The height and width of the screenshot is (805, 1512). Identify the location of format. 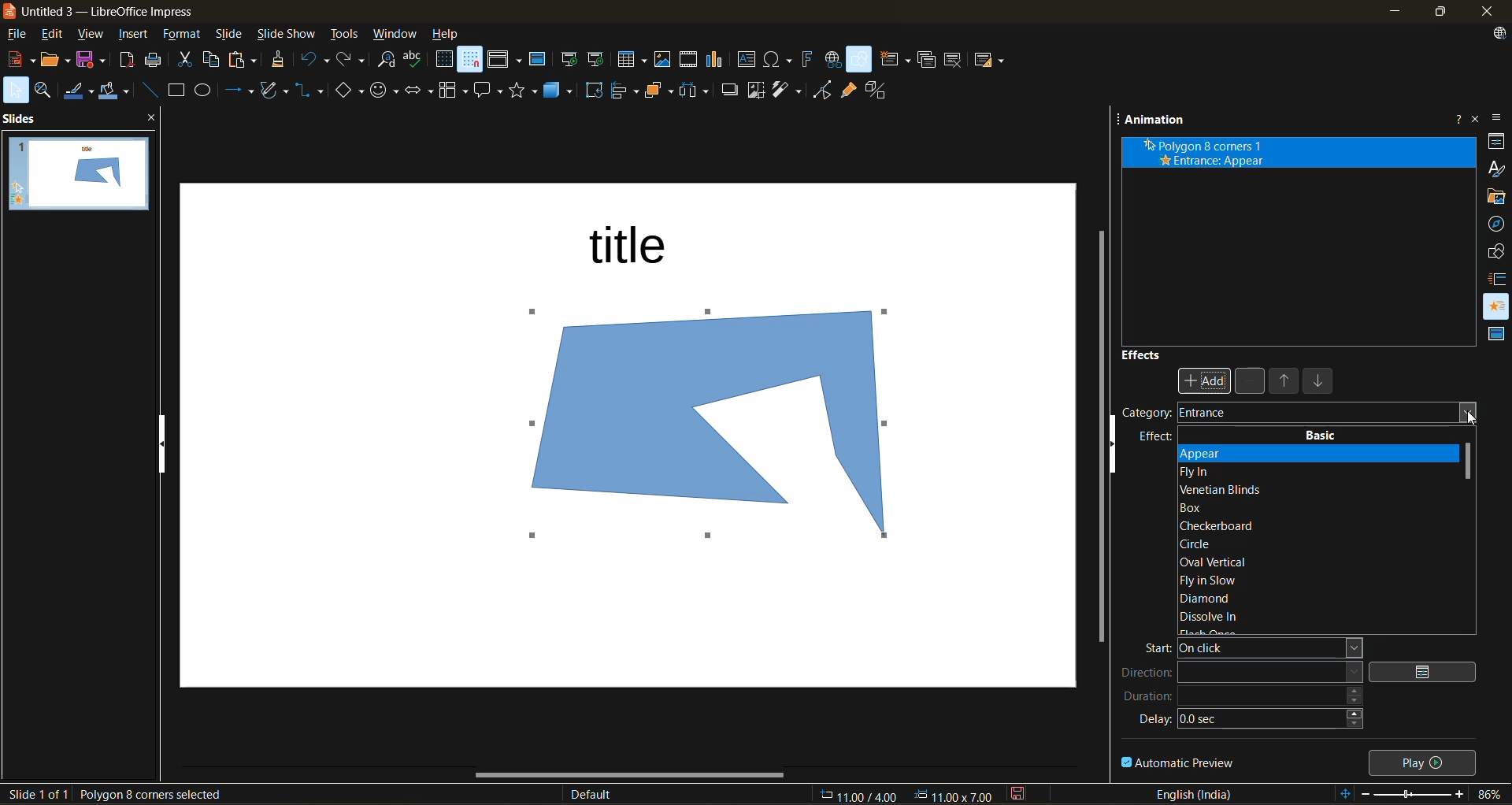
(180, 35).